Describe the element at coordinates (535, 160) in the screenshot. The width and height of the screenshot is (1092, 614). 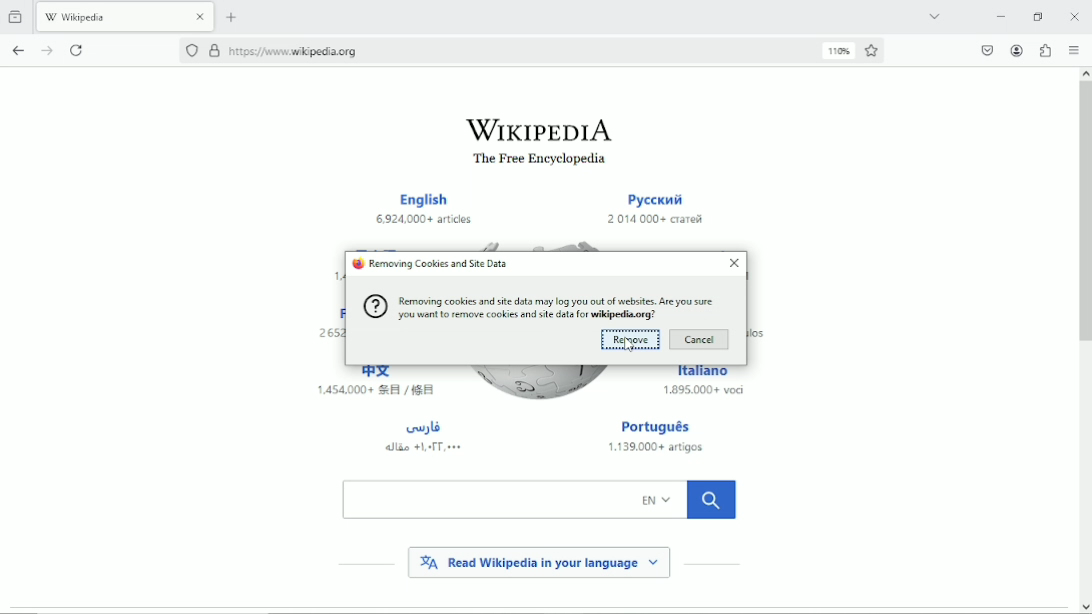
I see `“The Free Encyclopedia` at that location.